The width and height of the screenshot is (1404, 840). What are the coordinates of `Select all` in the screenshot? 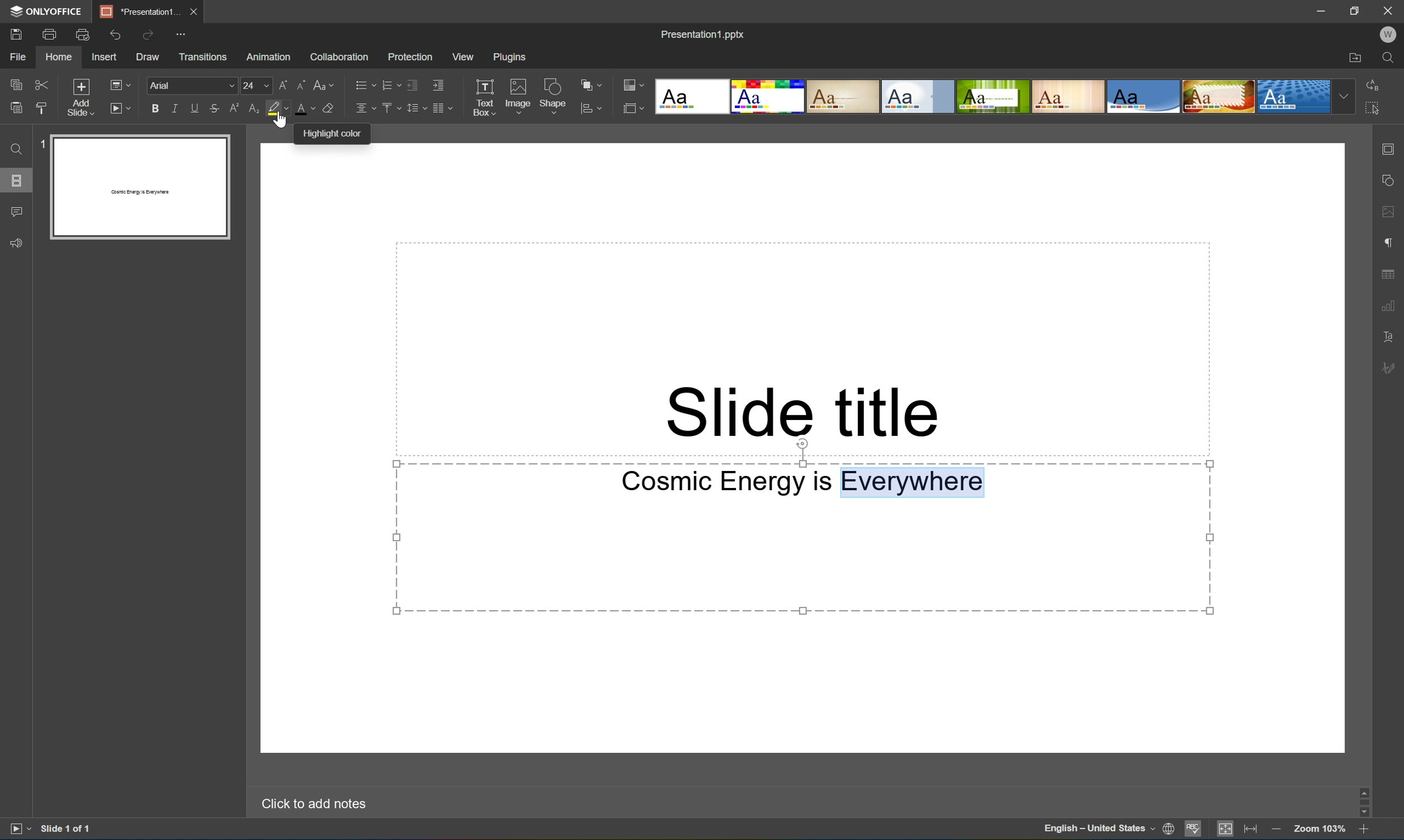 It's located at (1373, 106).